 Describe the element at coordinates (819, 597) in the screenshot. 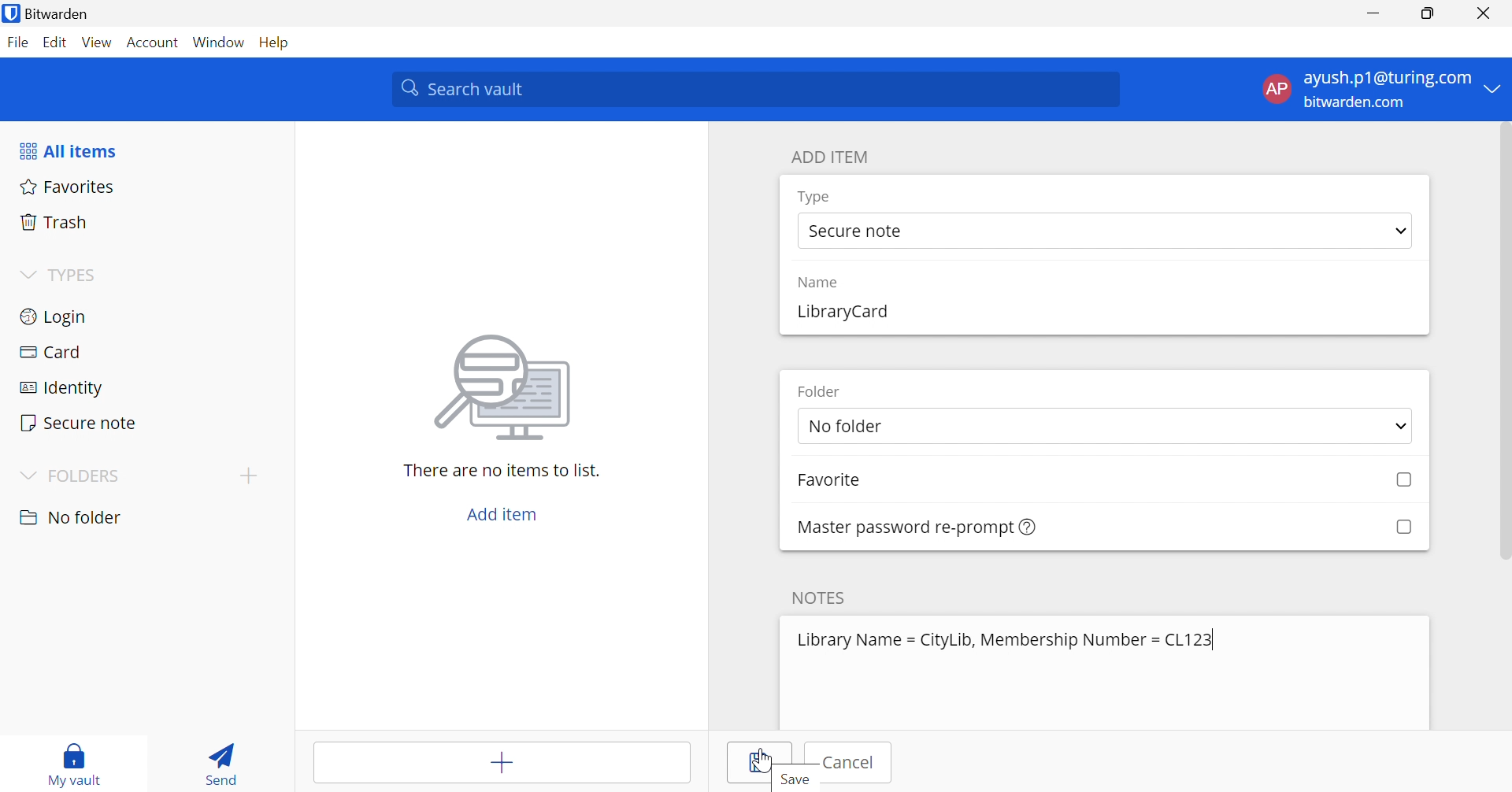

I see `NOTES` at that location.